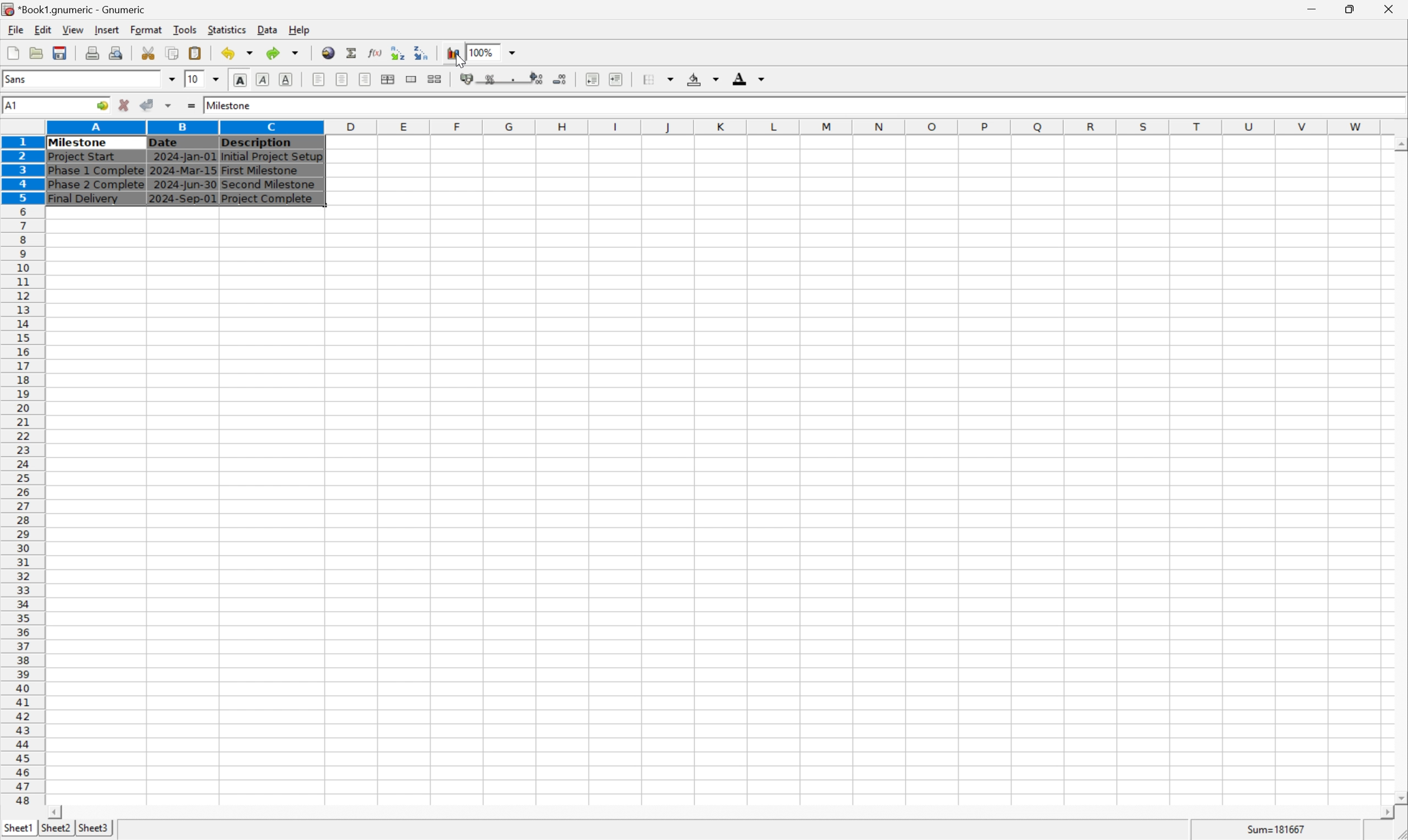  What do you see at coordinates (53, 830) in the screenshot?
I see `sheet2` at bounding box center [53, 830].